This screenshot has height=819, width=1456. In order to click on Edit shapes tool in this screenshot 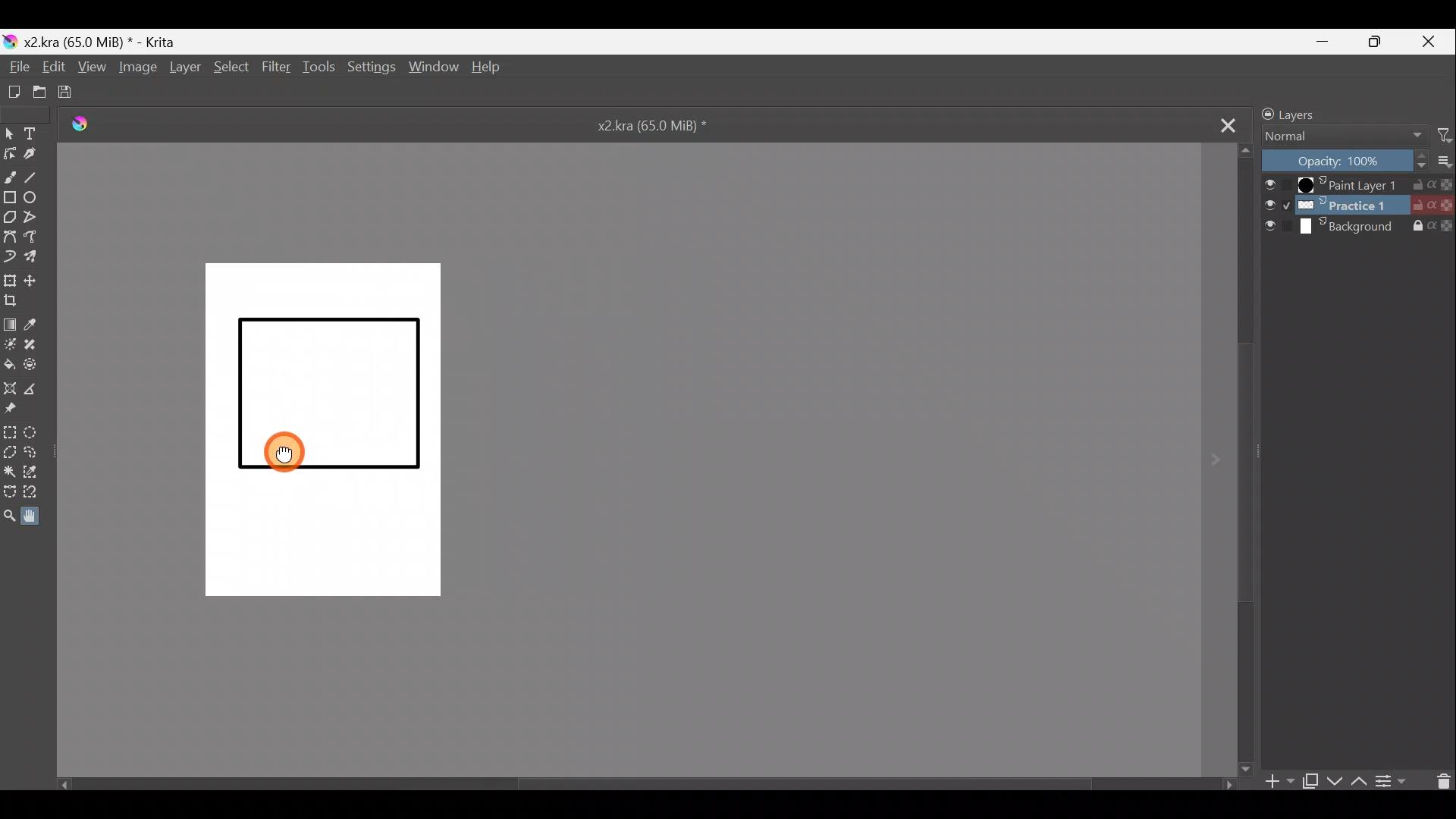, I will do `click(9, 153)`.